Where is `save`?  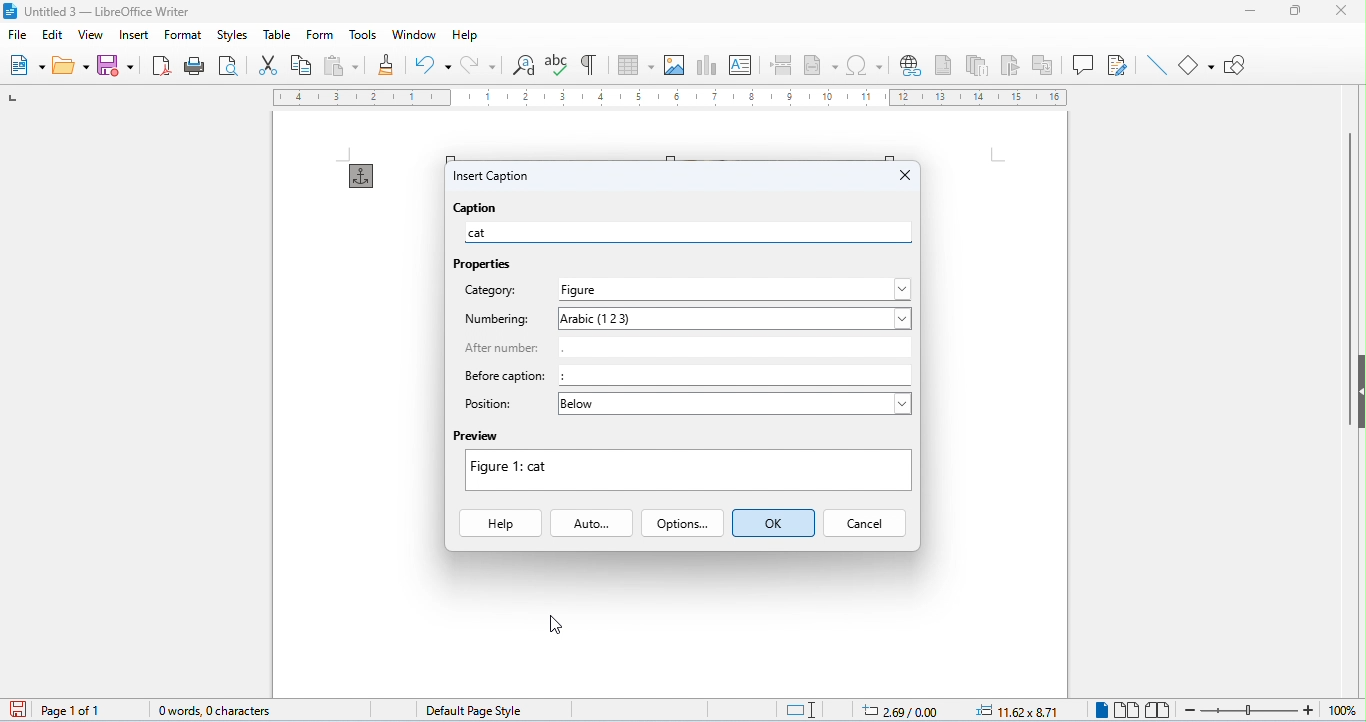 save is located at coordinates (120, 65).